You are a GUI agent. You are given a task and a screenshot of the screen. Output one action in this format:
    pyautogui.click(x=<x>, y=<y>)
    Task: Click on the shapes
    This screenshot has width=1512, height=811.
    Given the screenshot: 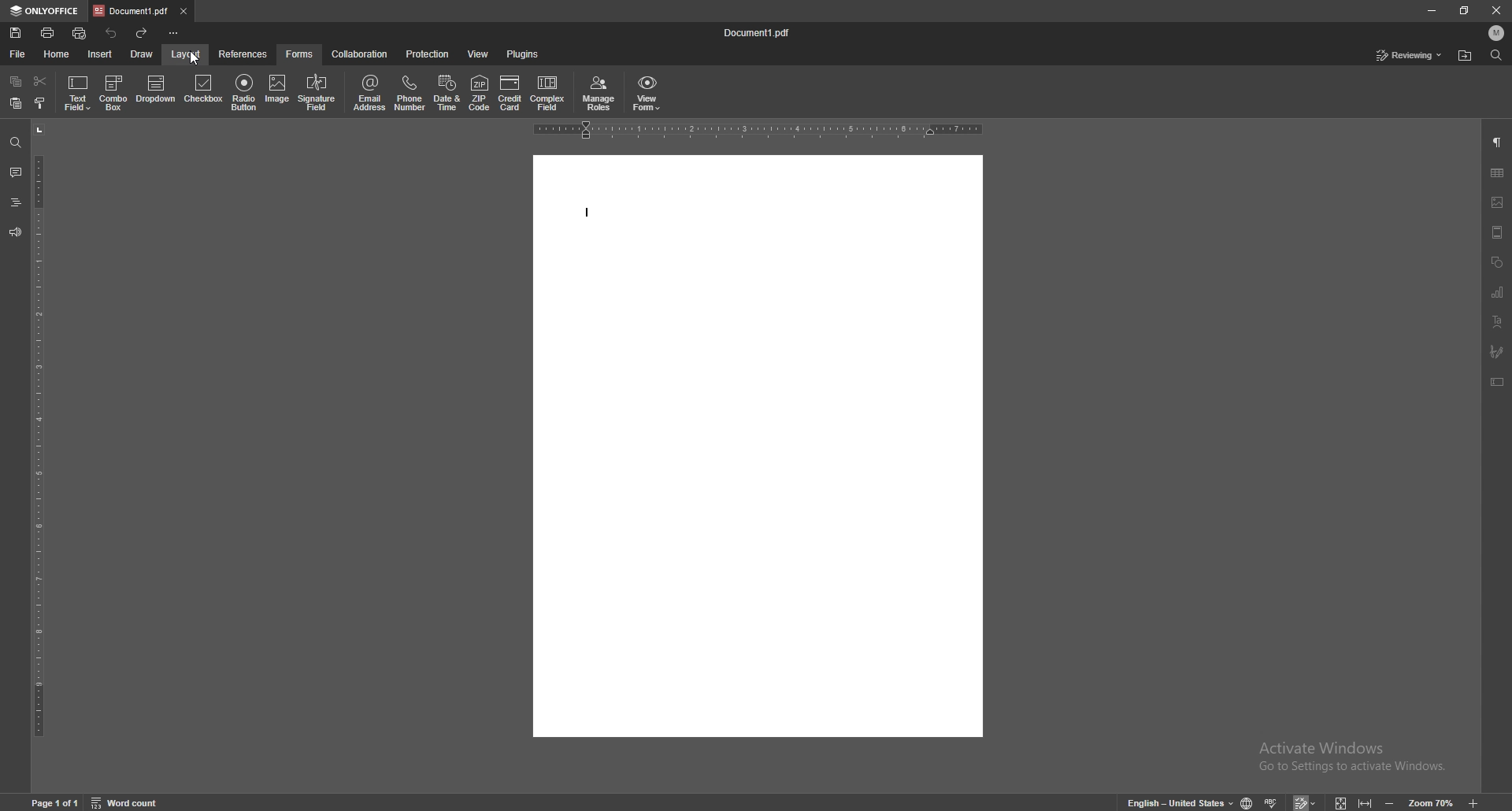 What is the action you would take?
    pyautogui.click(x=1495, y=261)
    